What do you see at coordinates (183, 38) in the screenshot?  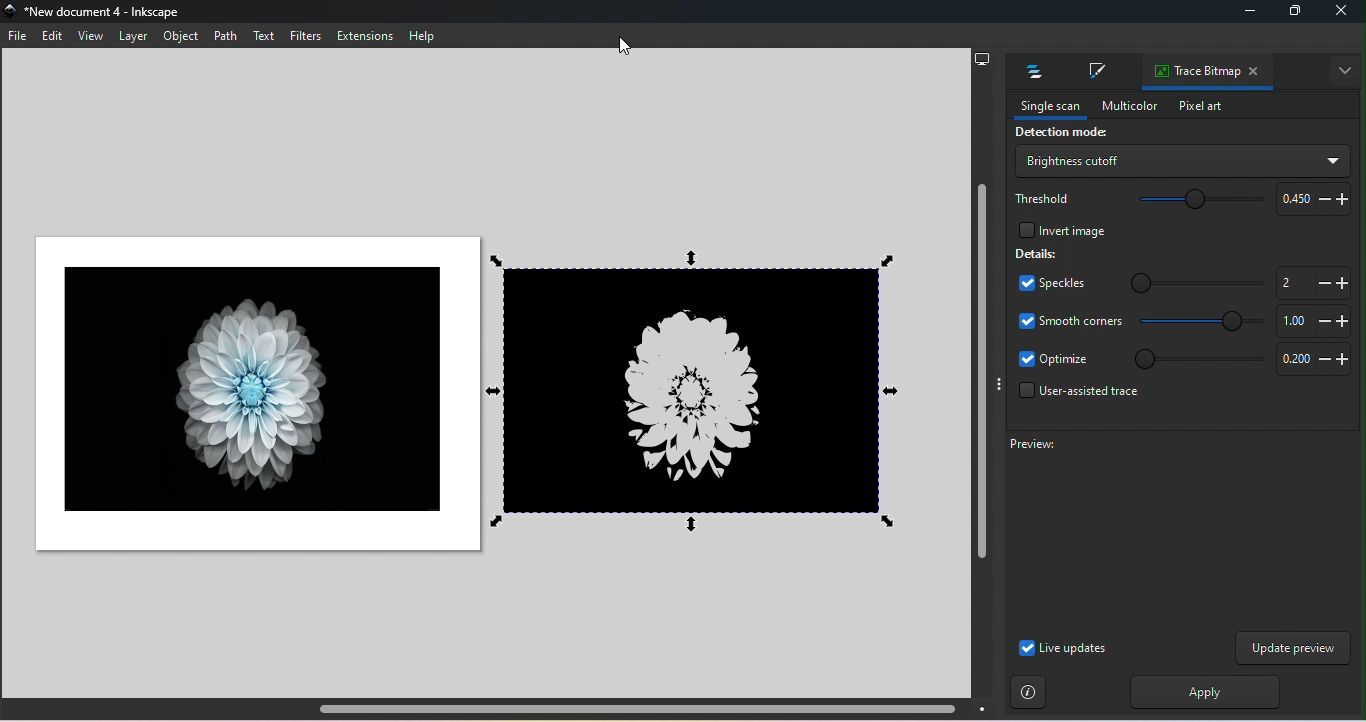 I see `Object` at bounding box center [183, 38].